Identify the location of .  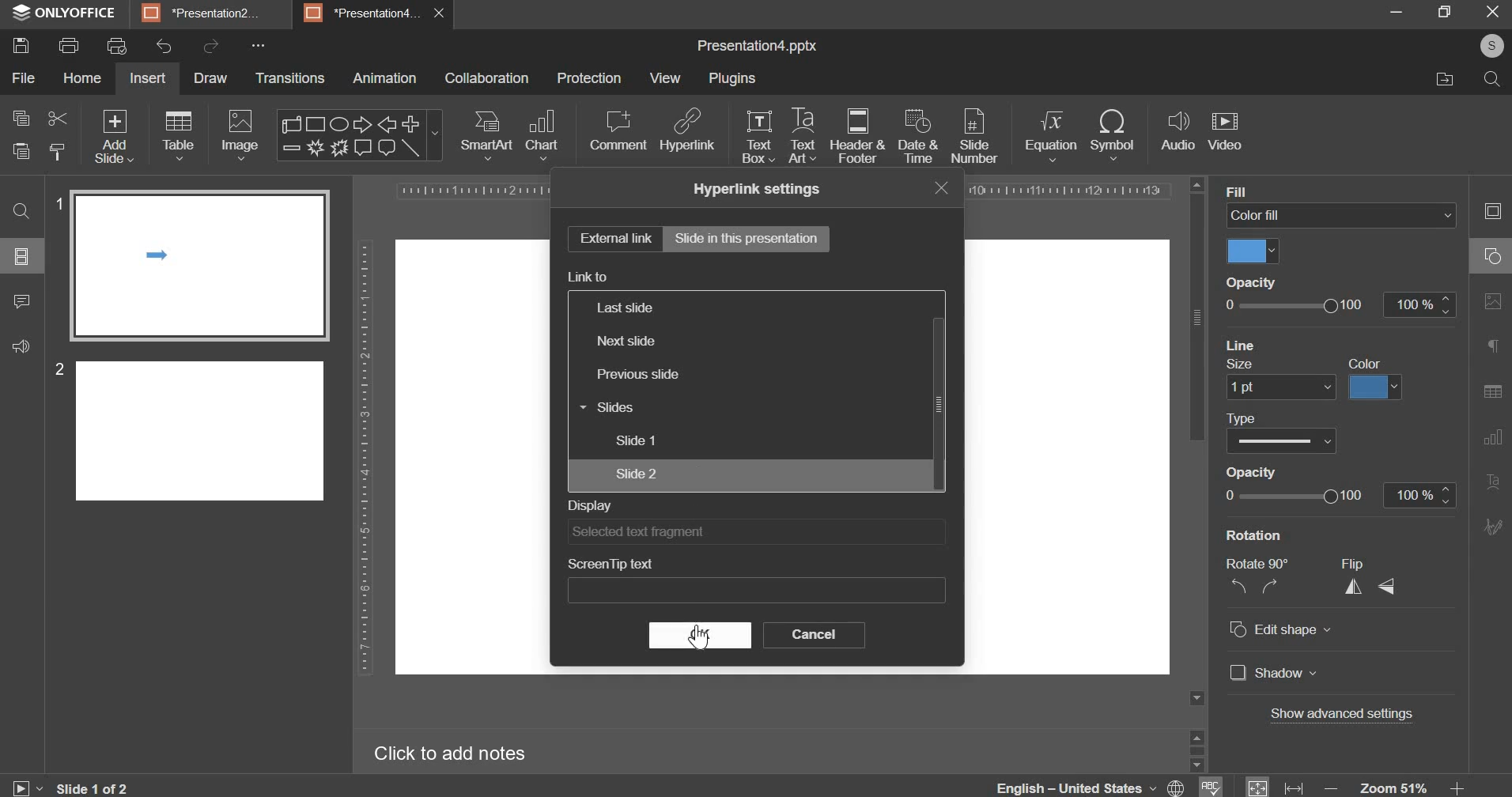
(25, 259).